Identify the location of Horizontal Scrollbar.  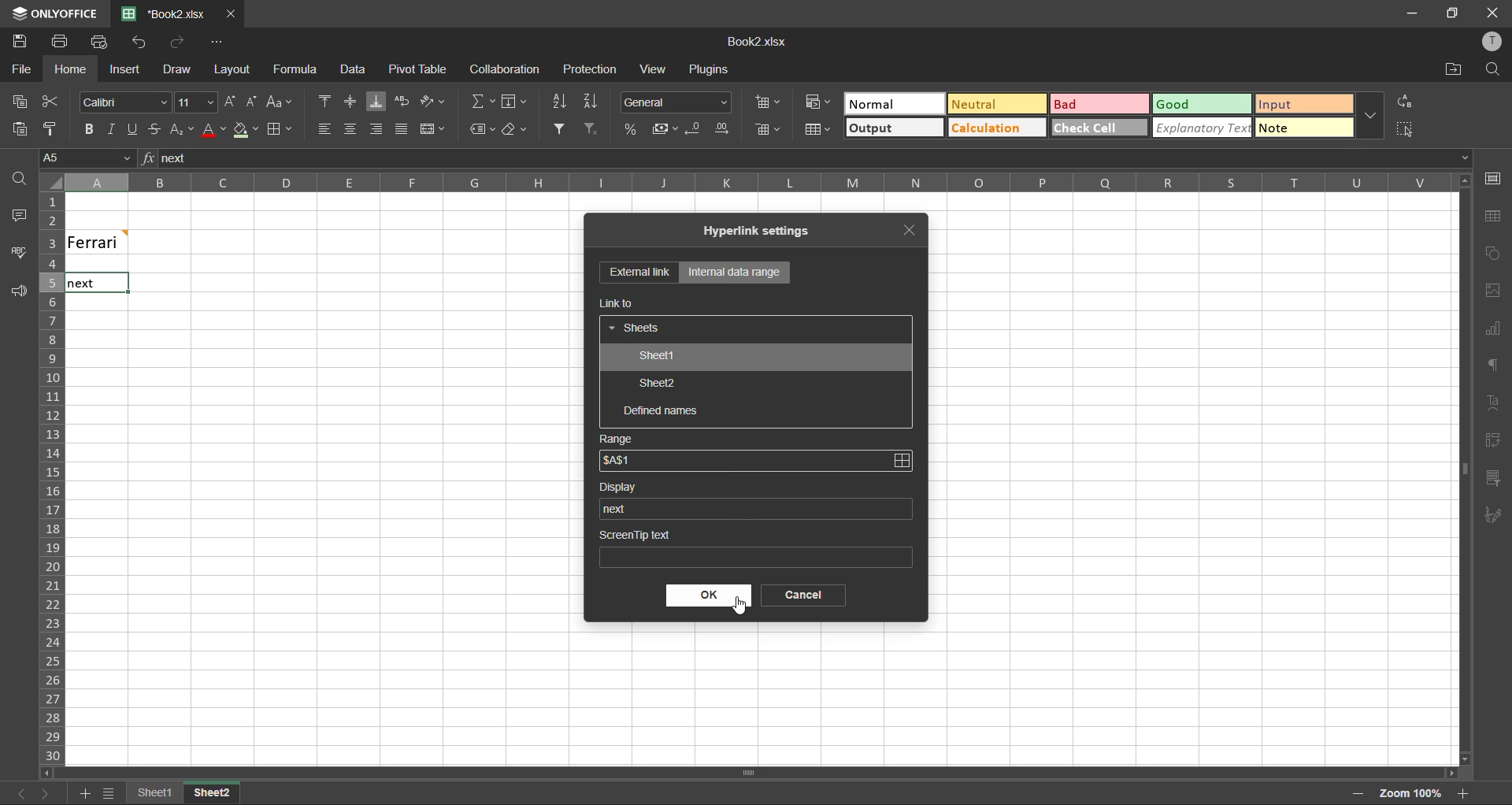
(1457, 469).